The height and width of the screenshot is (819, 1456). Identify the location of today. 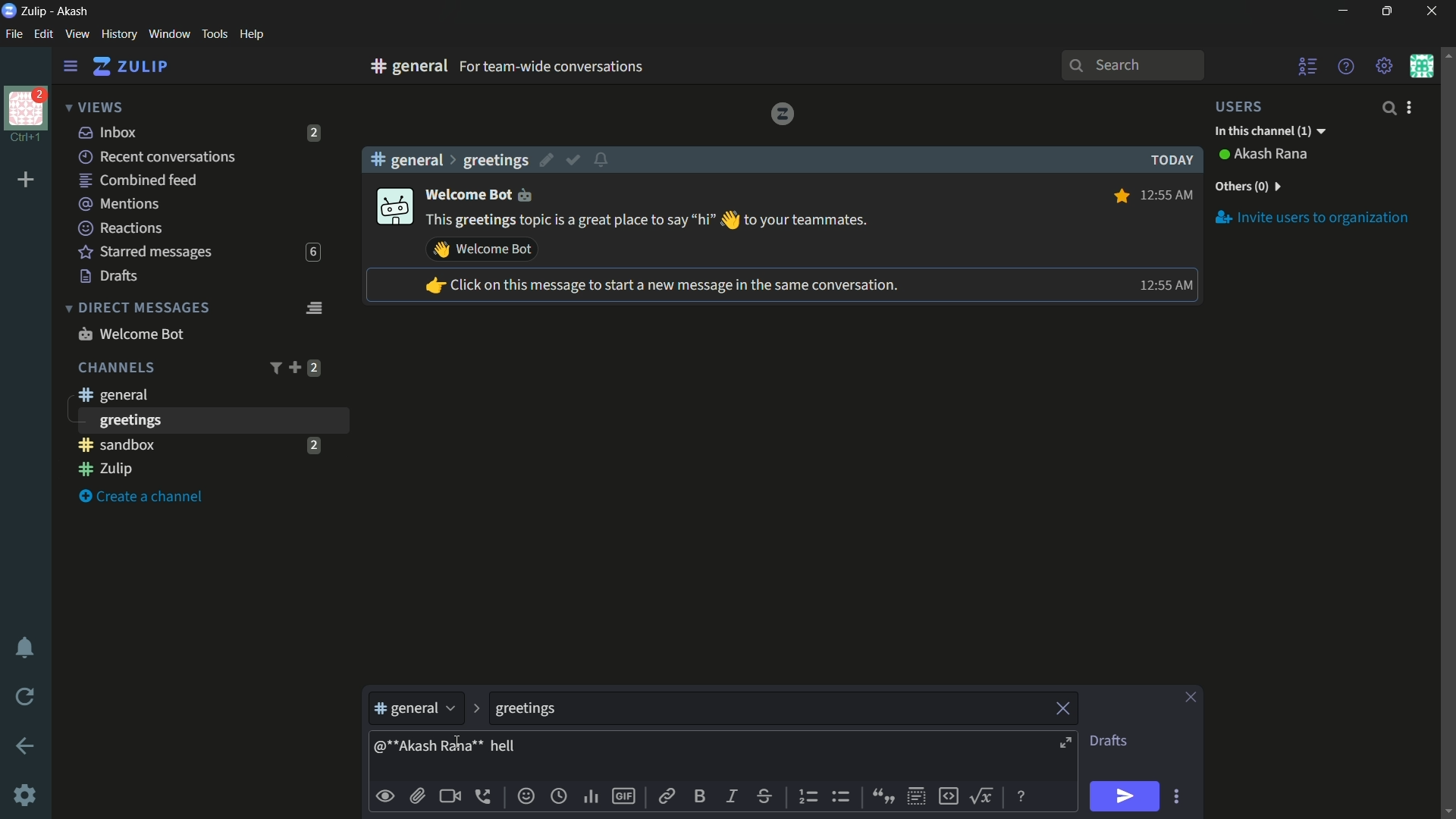
(1168, 160).